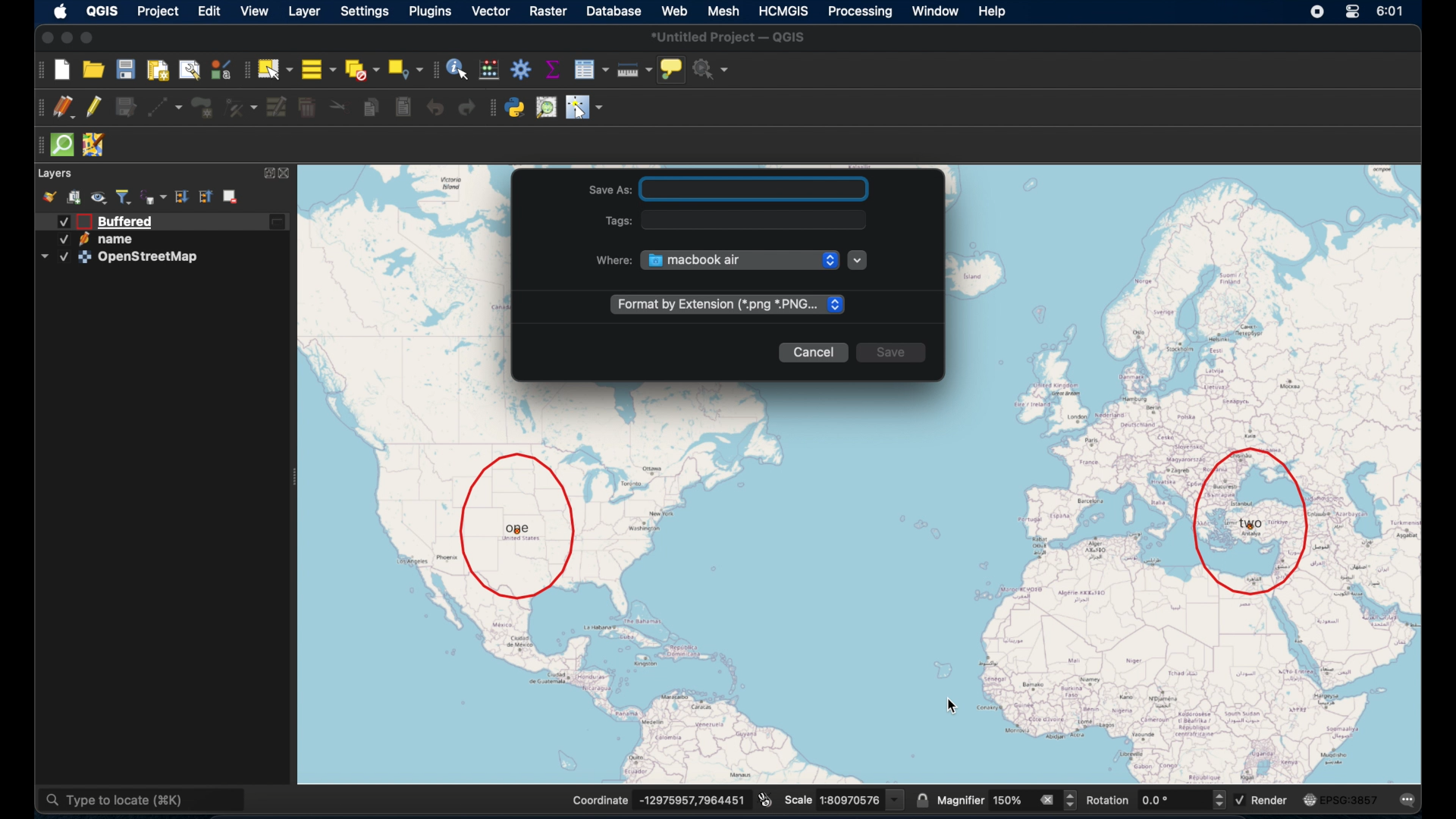  Describe the element at coordinates (243, 69) in the screenshot. I see `selection toolbar` at that location.